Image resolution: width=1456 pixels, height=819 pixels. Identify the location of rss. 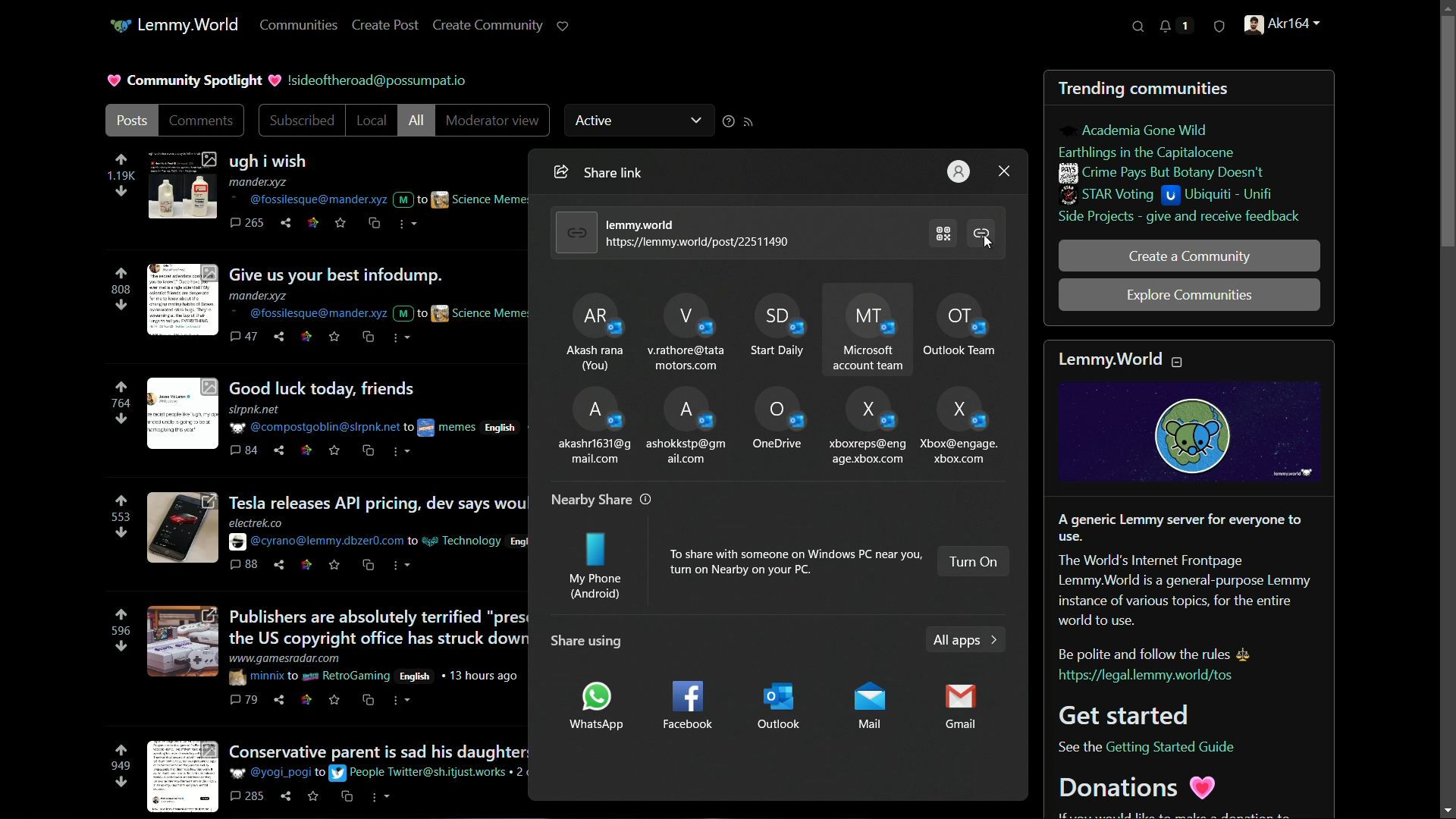
(749, 121).